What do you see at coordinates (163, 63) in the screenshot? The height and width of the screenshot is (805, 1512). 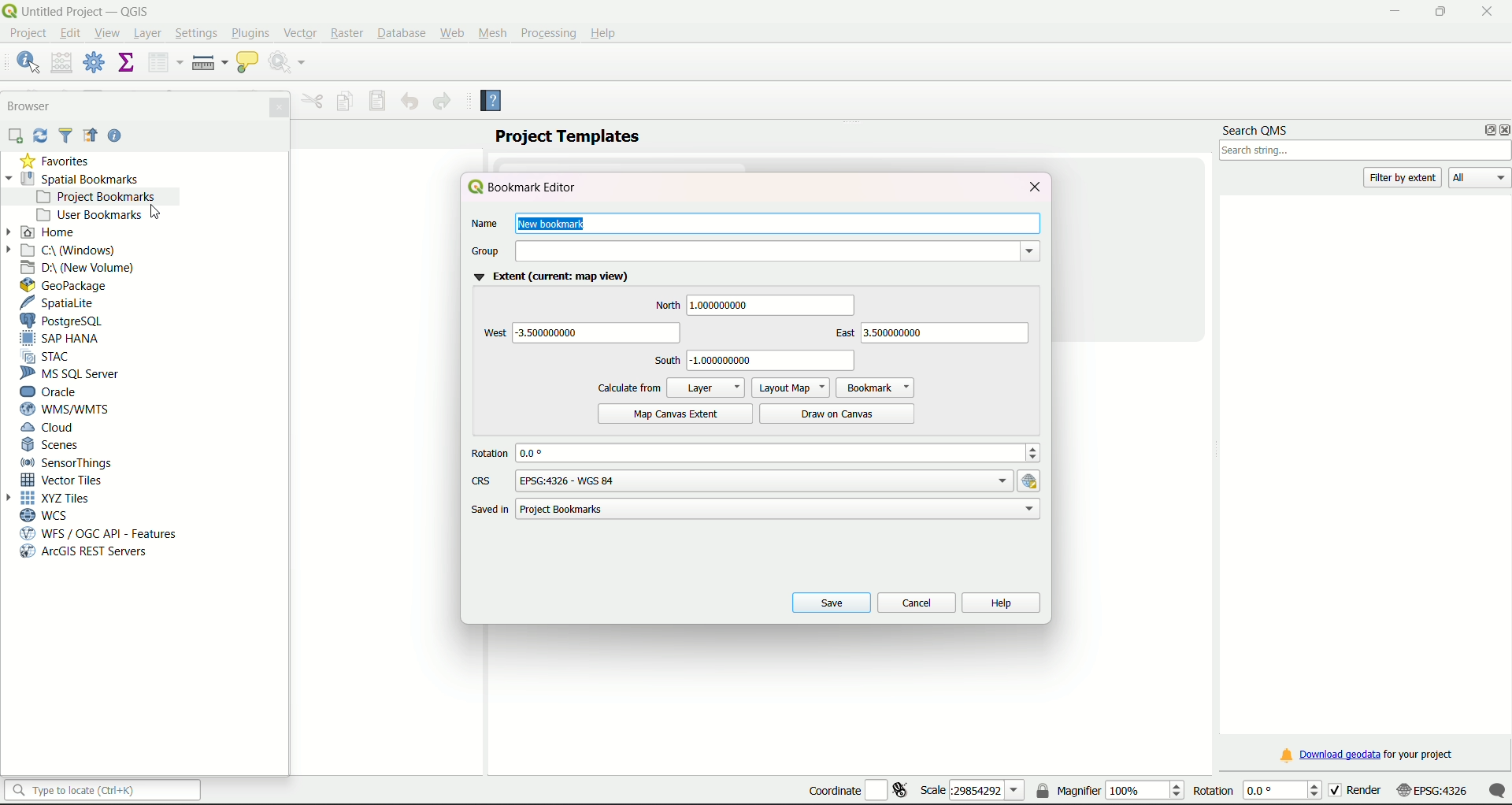 I see `open attribute table` at bounding box center [163, 63].